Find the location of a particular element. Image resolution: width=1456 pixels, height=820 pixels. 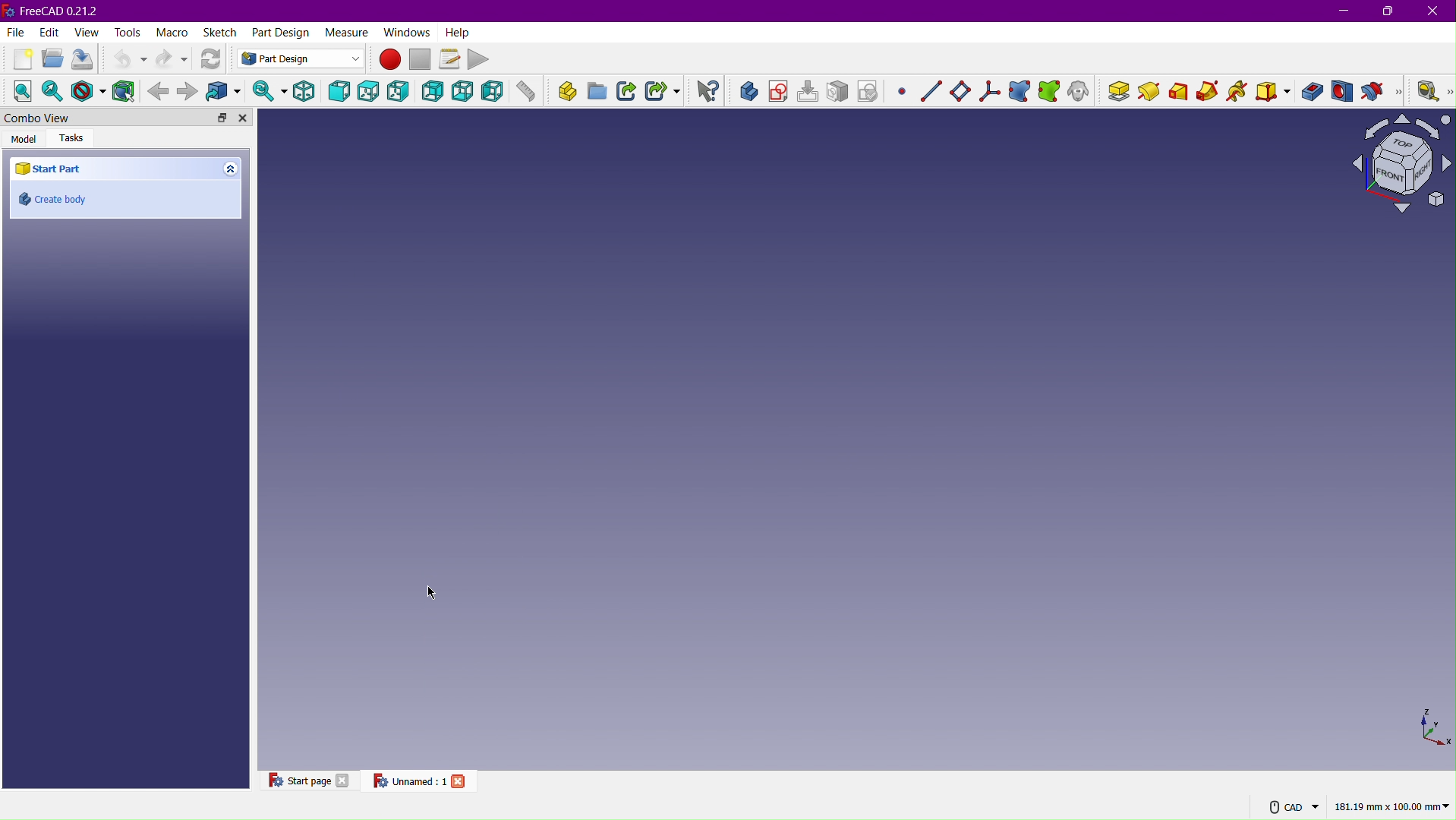

Validate sketch is located at coordinates (868, 93).